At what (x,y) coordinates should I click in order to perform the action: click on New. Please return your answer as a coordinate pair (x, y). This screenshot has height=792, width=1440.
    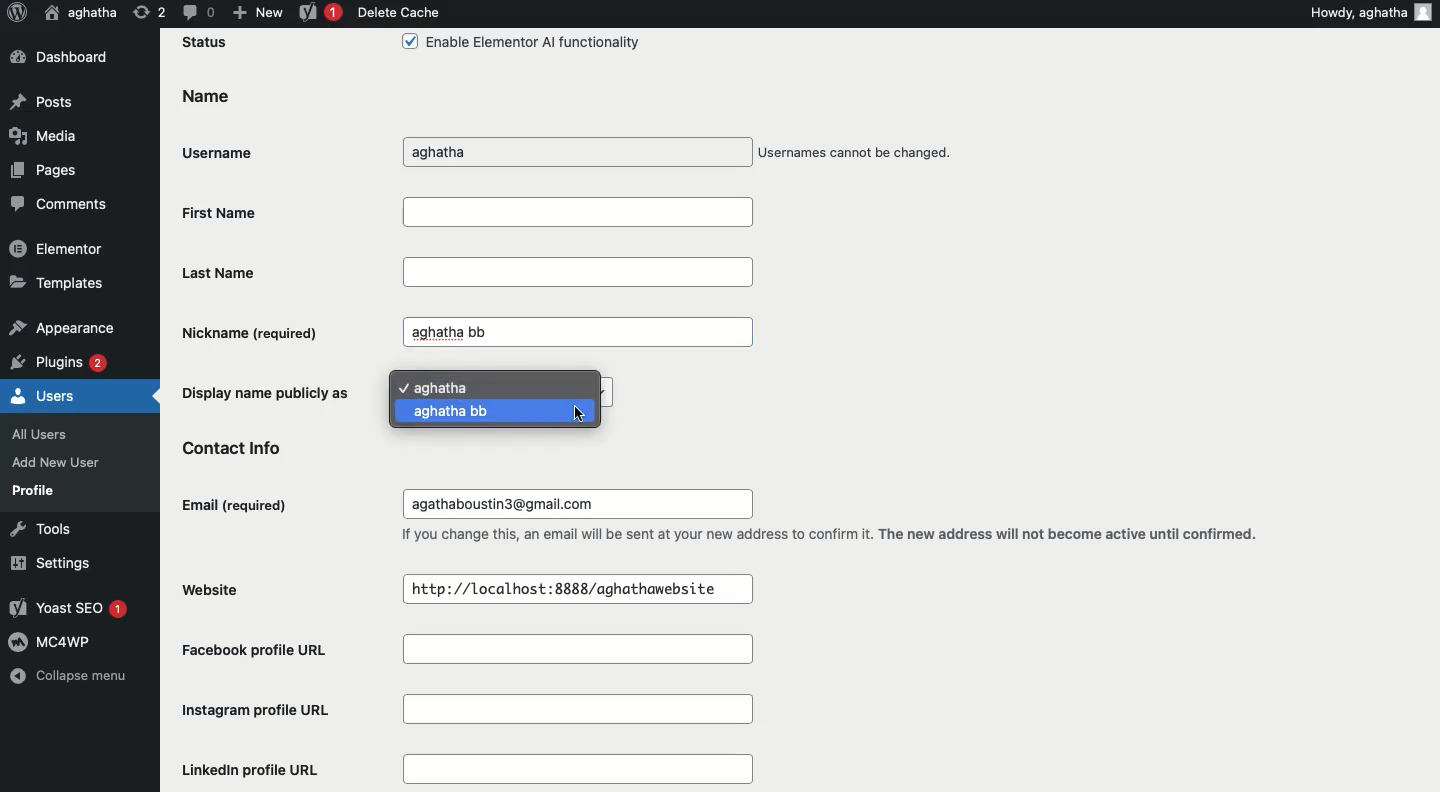
    Looking at the image, I should click on (257, 11).